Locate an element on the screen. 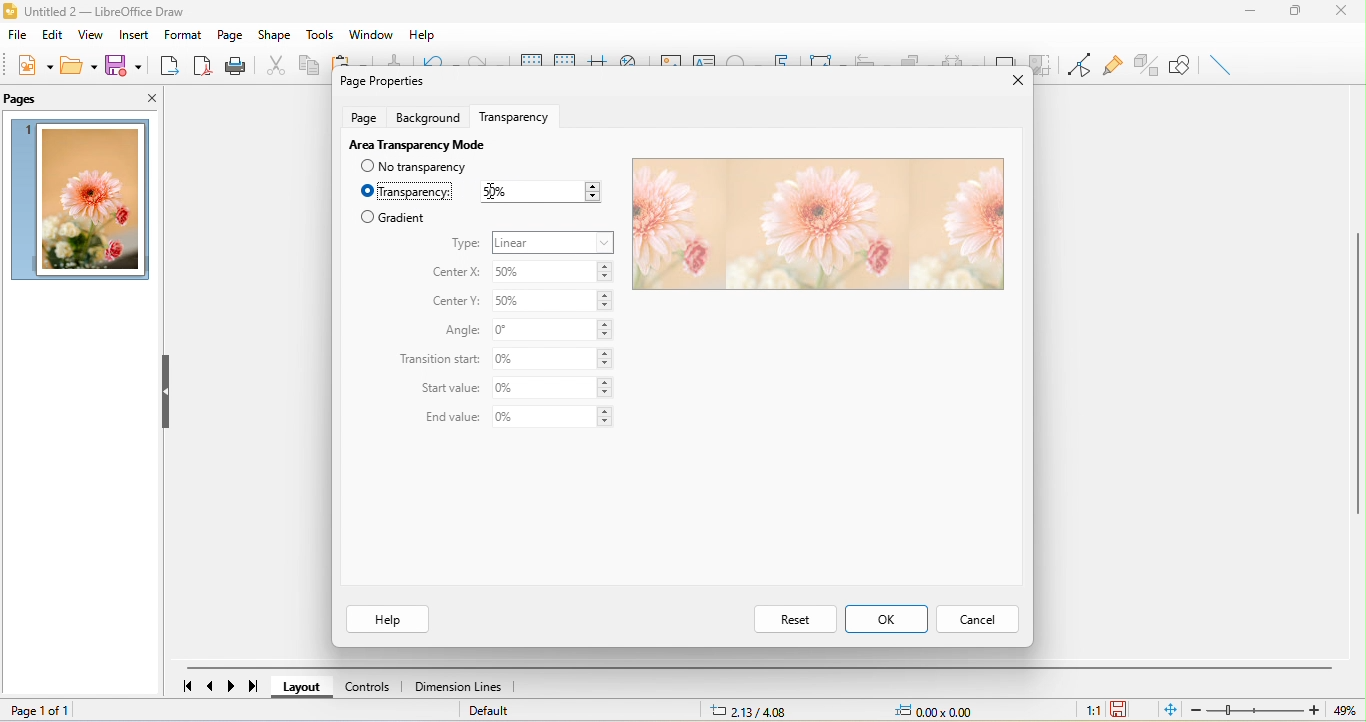 The height and width of the screenshot is (722, 1366). dimension lines is located at coordinates (463, 687).